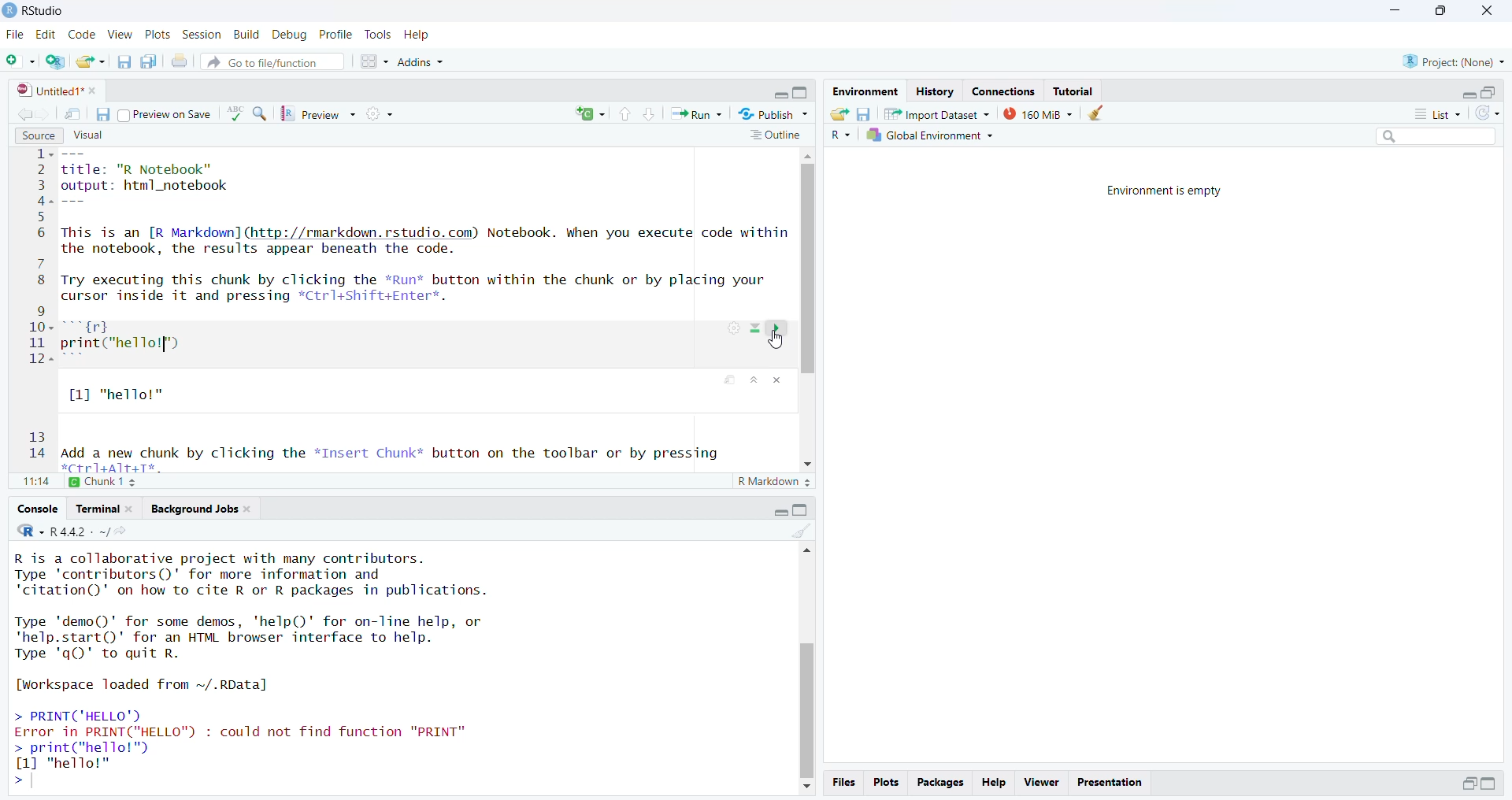 The image size is (1512, 800). Describe the element at coordinates (180, 63) in the screenshot. I see `print current file` at that location.